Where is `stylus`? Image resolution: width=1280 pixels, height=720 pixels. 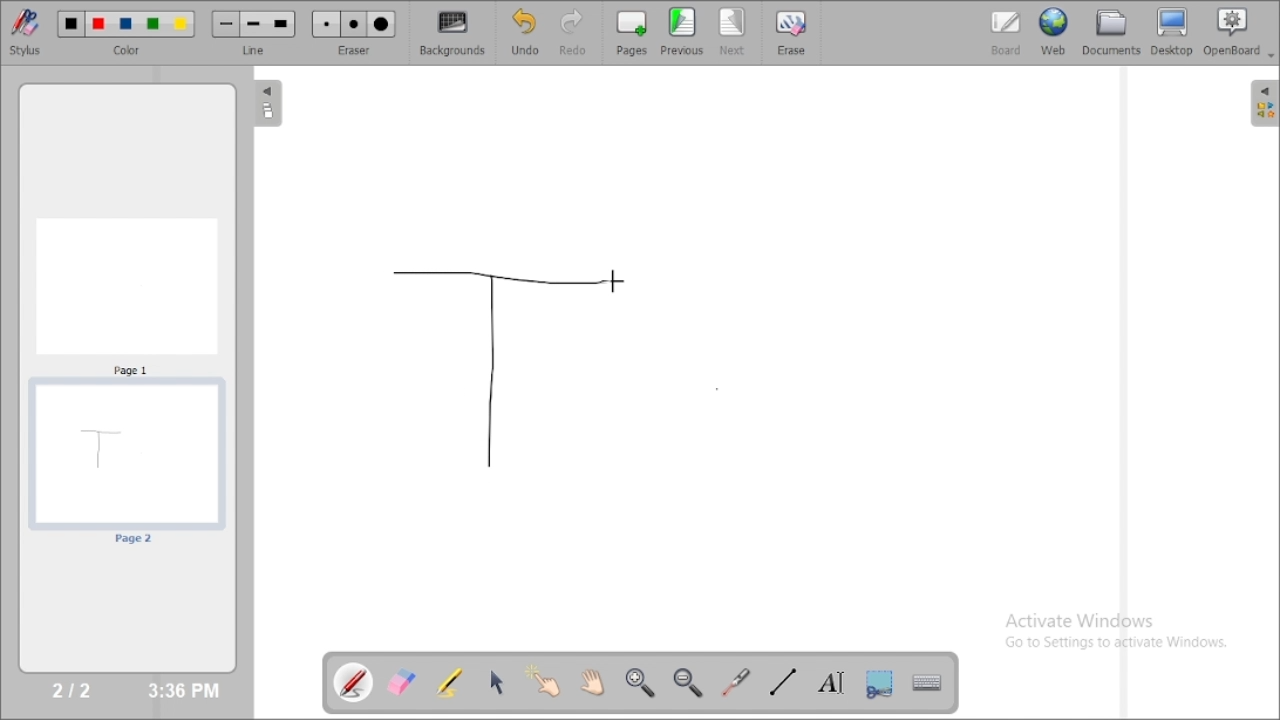 stylus is located at coordinates (25, 31).